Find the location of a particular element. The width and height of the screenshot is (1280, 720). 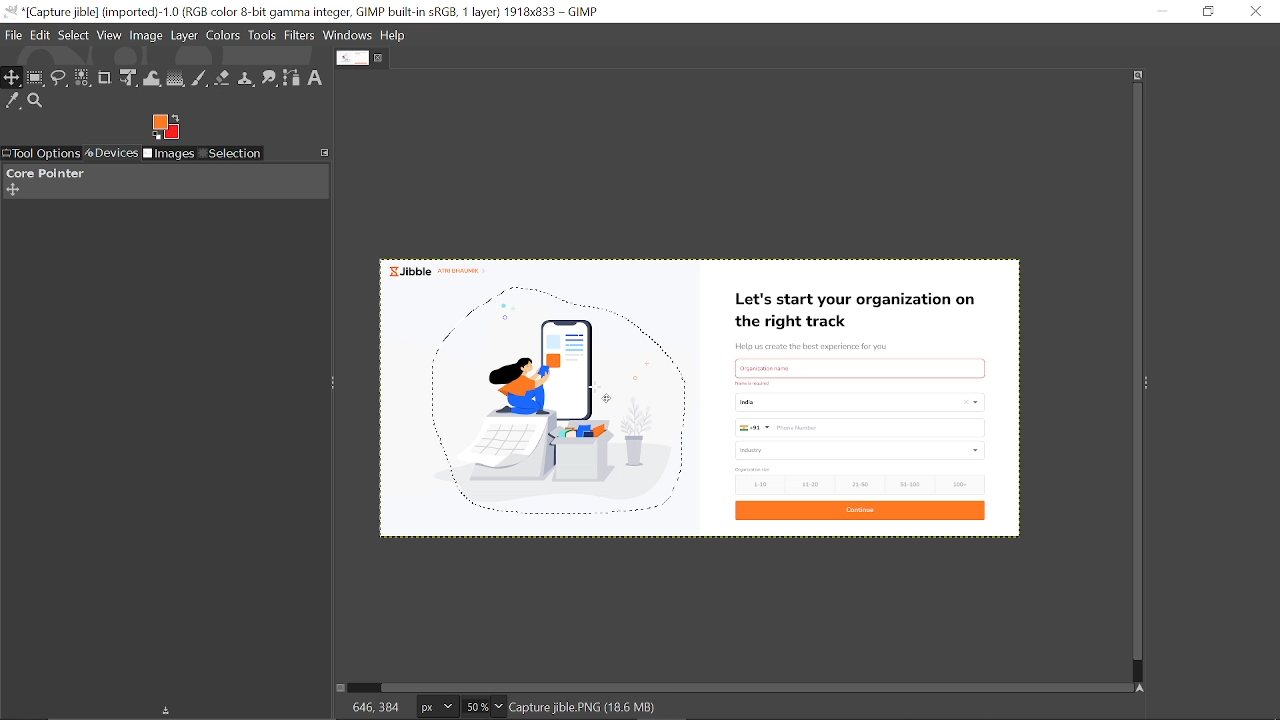

Layer is located at coordinates (184, 37).